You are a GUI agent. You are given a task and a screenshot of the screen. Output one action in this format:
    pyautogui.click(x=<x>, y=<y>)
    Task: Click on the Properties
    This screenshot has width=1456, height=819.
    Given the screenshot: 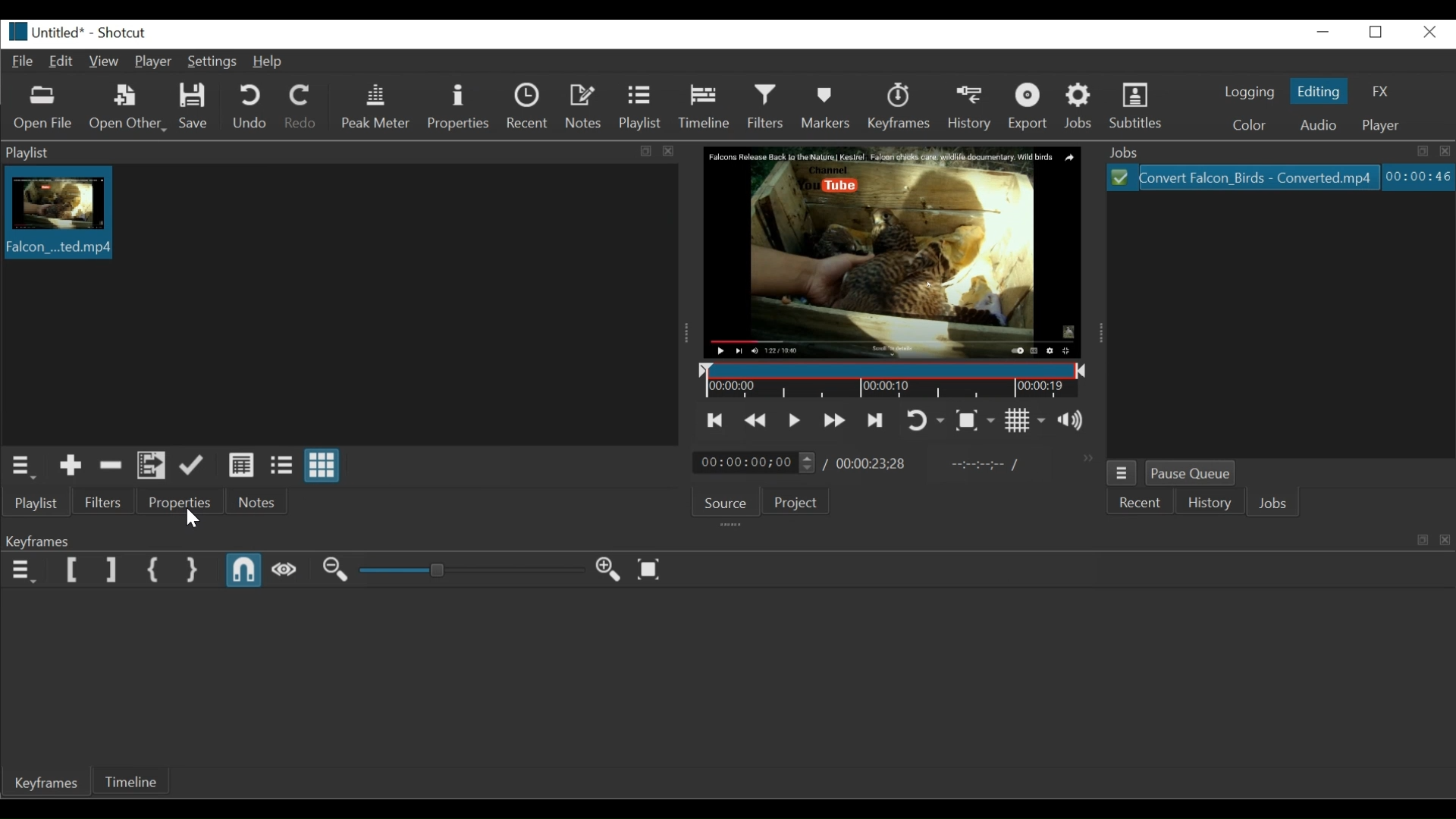 What is the action you would take?
    pyautogui.click(x=177, y=502)
    